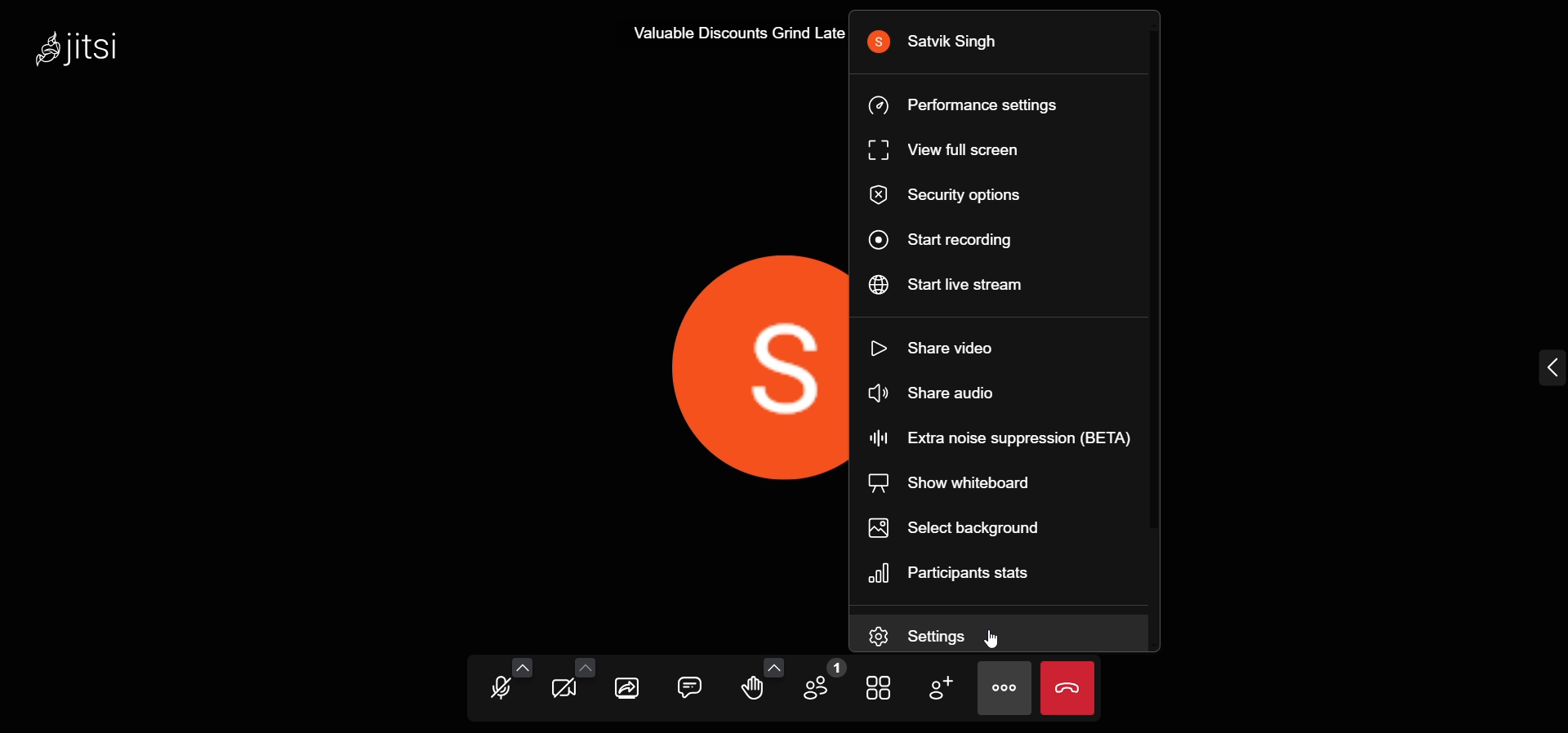 The width and height of the screenshot is (1568, 733). What do you see at coordinates (80, 49) in the screenshot?
I see `jitsi` at bounding box center [80, 49].